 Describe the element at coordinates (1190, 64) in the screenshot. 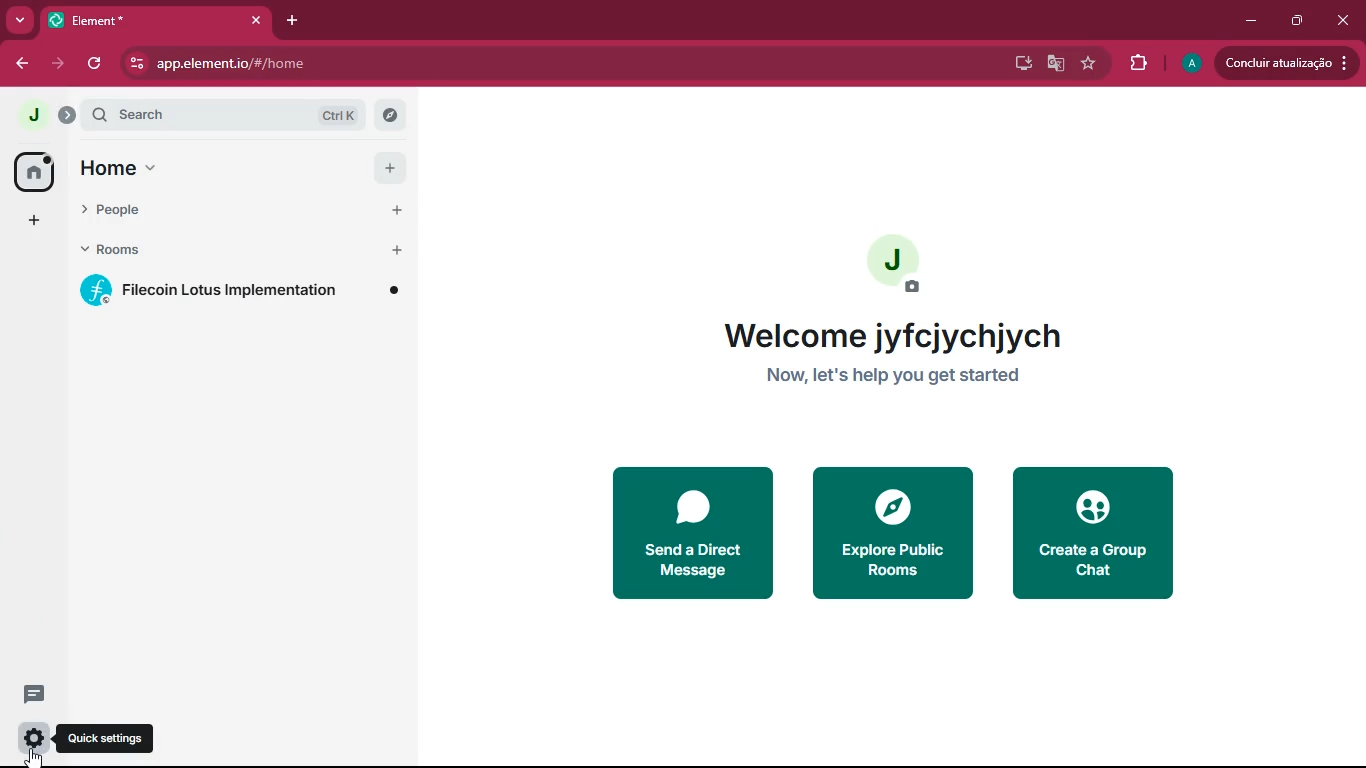

I see `profile` at that location.